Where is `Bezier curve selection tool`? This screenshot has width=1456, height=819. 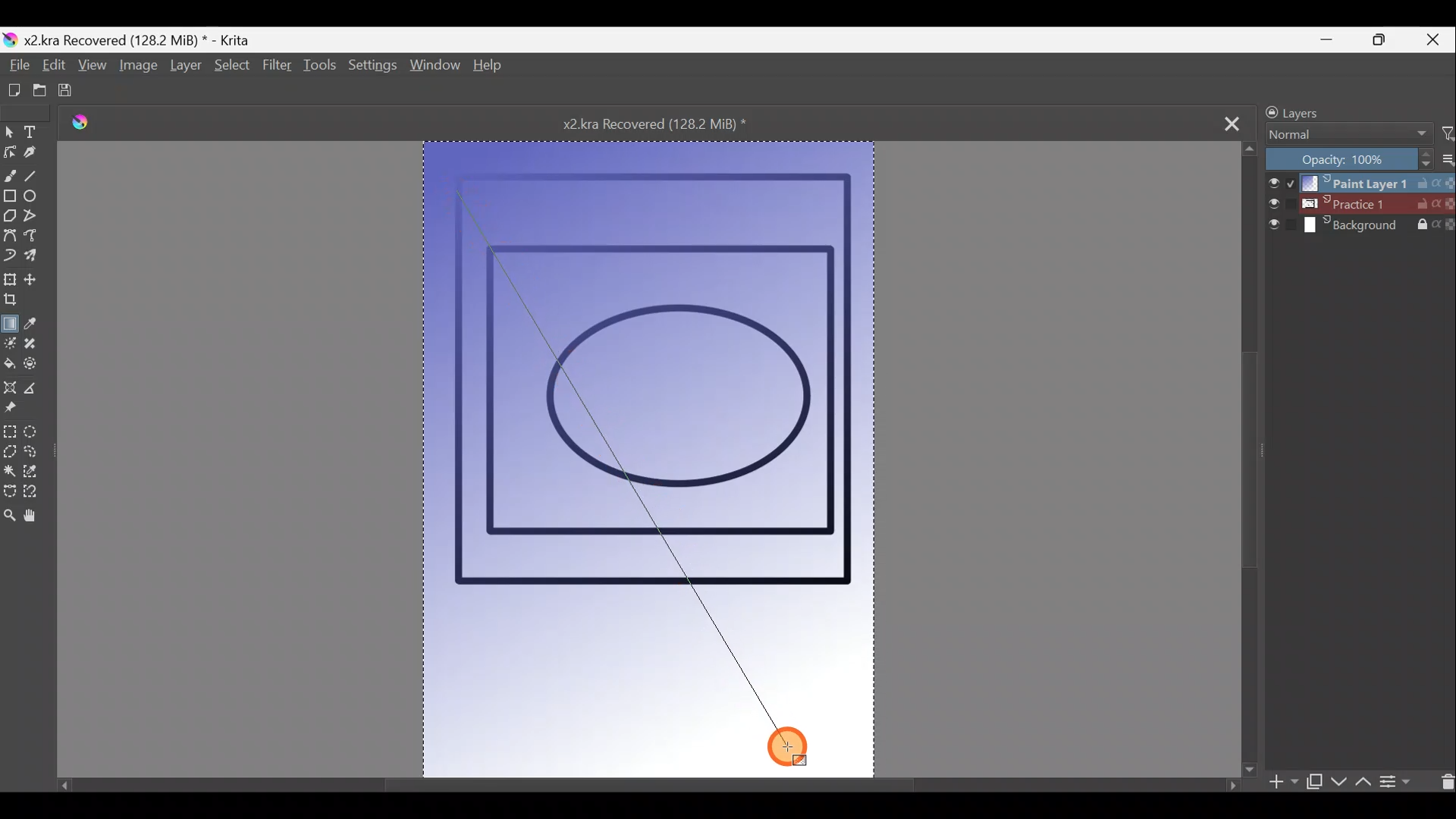 Bezier curve selection tool is located at coordinates (9, 493).